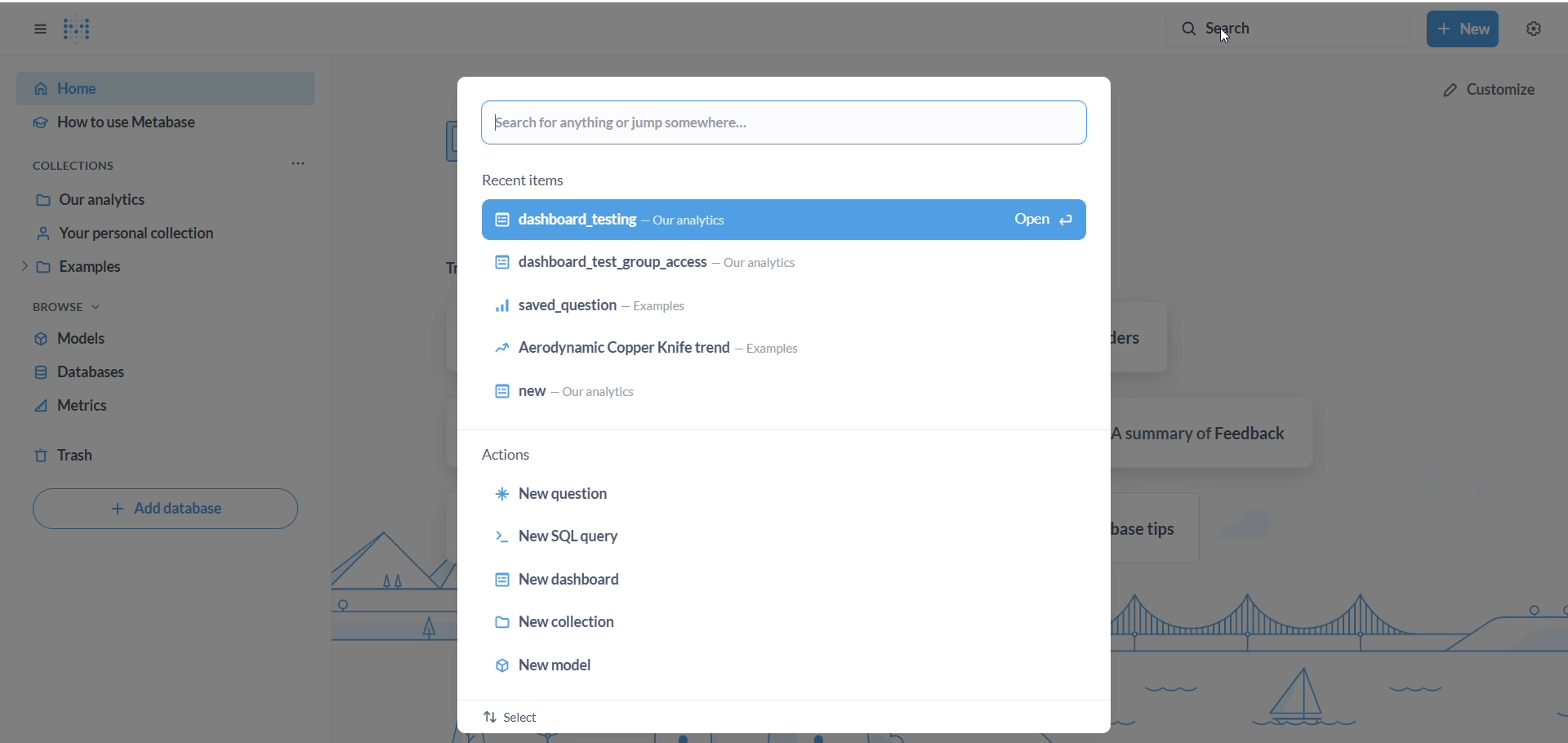 This screenshot has width=1568, height=743. What do you see at coordinates (38, 33) in the screenshot?
I see `show/hide side bar` at bounding box center [38, 33].